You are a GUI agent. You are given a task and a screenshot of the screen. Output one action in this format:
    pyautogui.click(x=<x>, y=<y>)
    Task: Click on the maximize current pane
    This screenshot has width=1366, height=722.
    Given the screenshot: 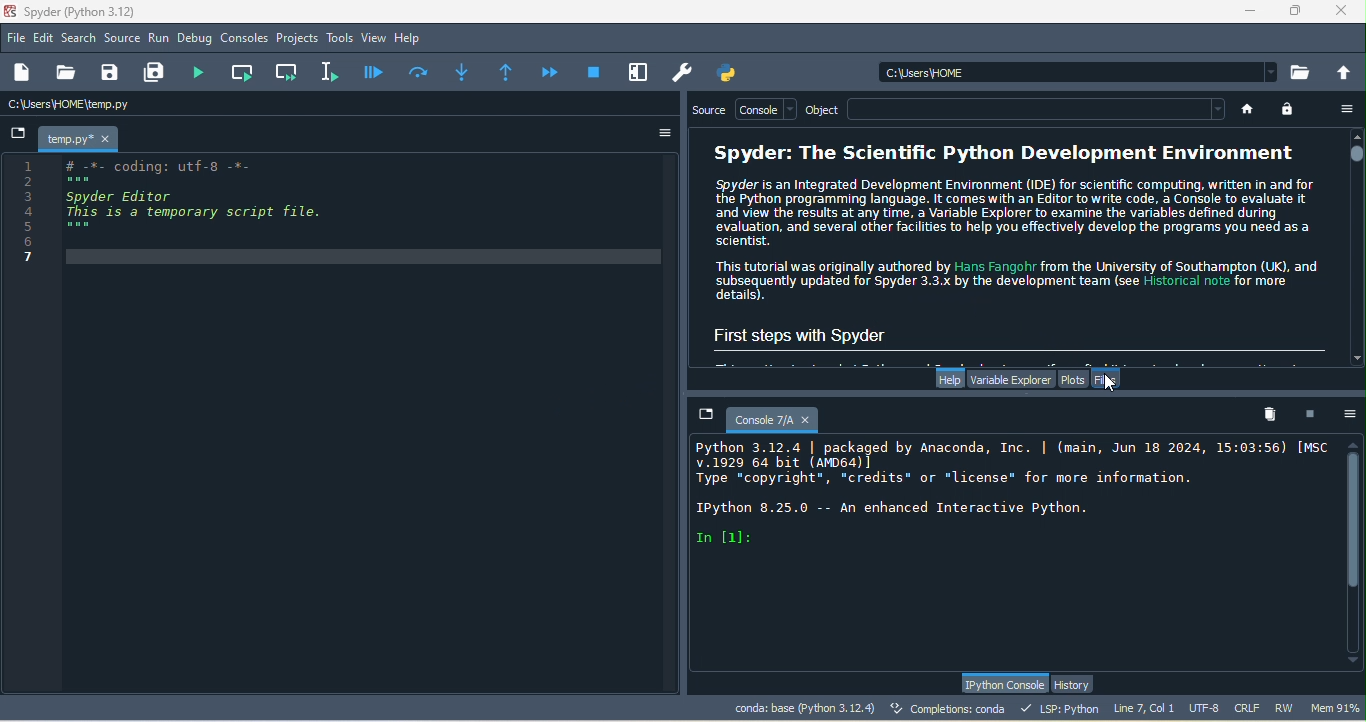 What is the action you would take?
    pyautogui.click(x=639, y=72)
    